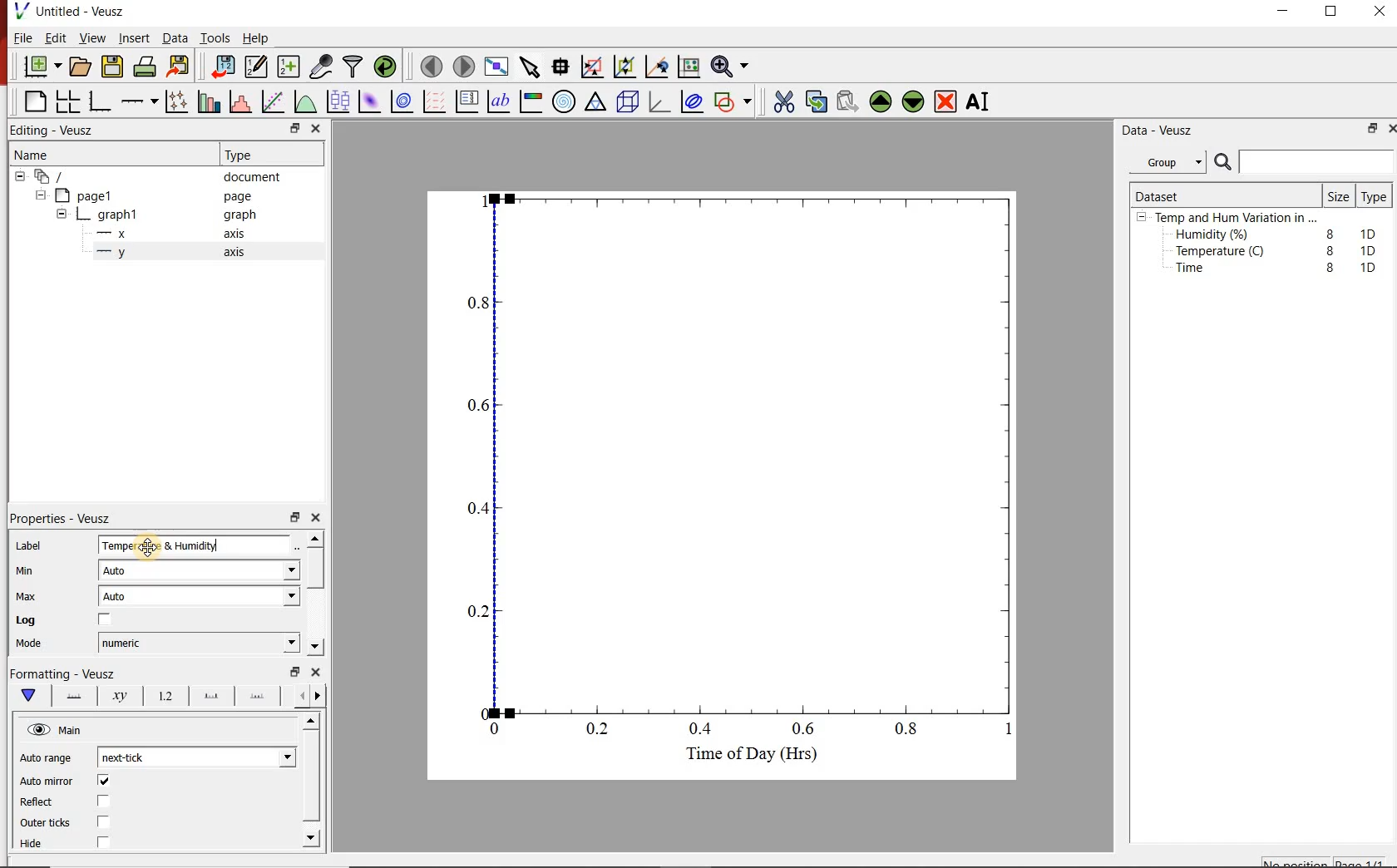  What do you see at coordinates (1003, 732) in the screenshot?
I see `1` at bounding box center [1003, 732].